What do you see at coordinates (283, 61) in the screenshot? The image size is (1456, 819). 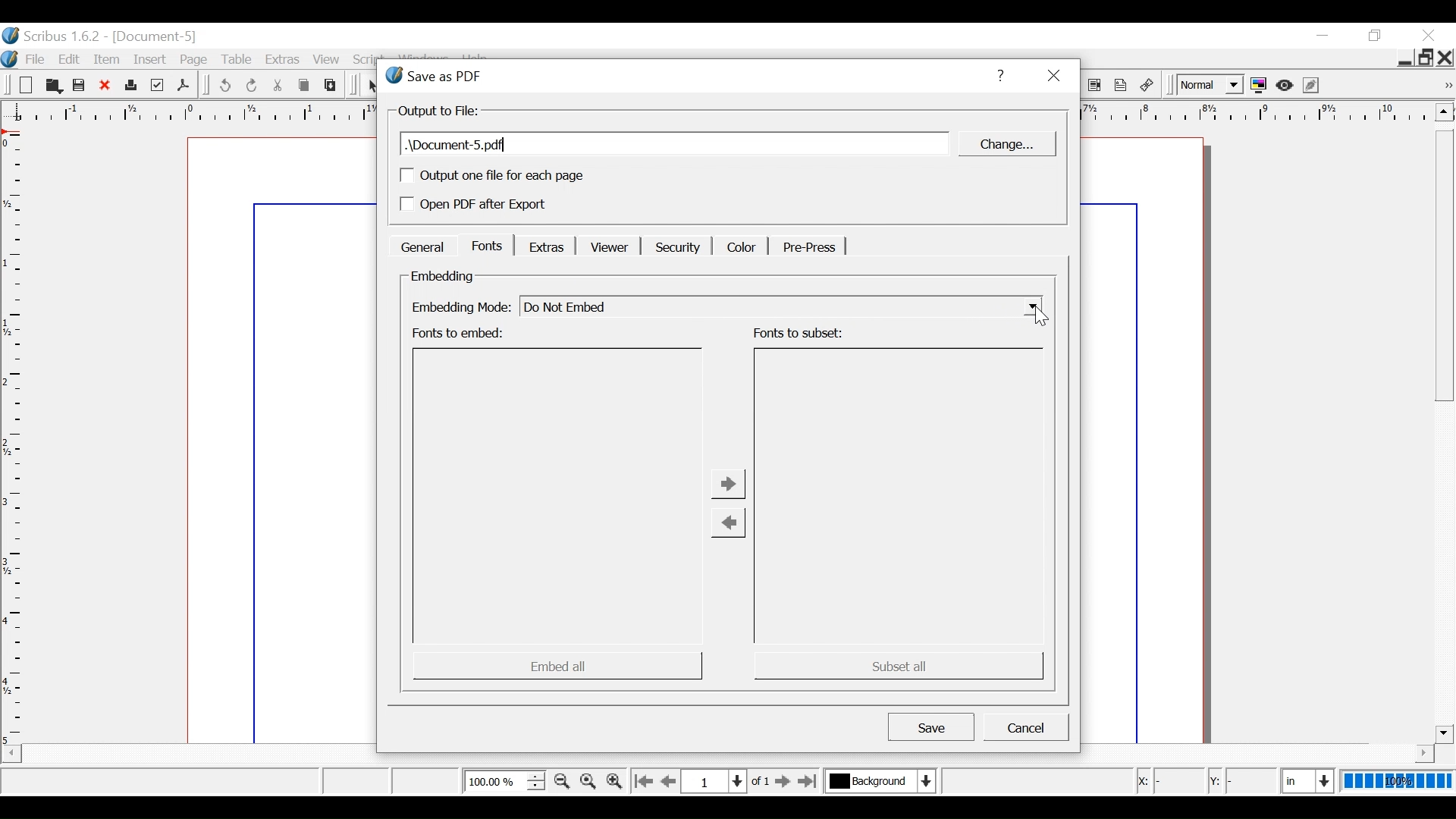 I see `Extras` at bounding box center [283, 61].